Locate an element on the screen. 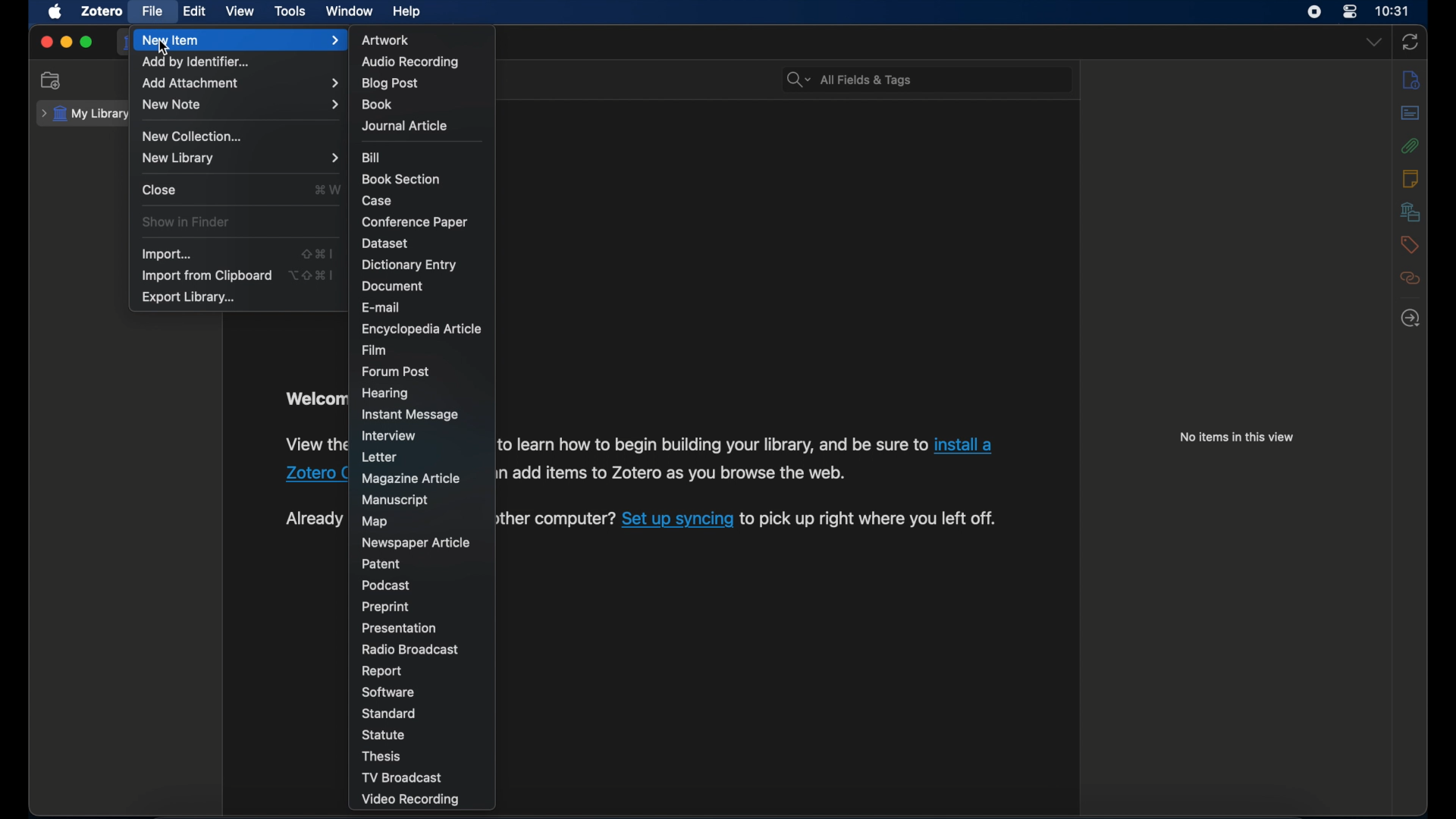  libraries is located at coordinates (1411, 212).